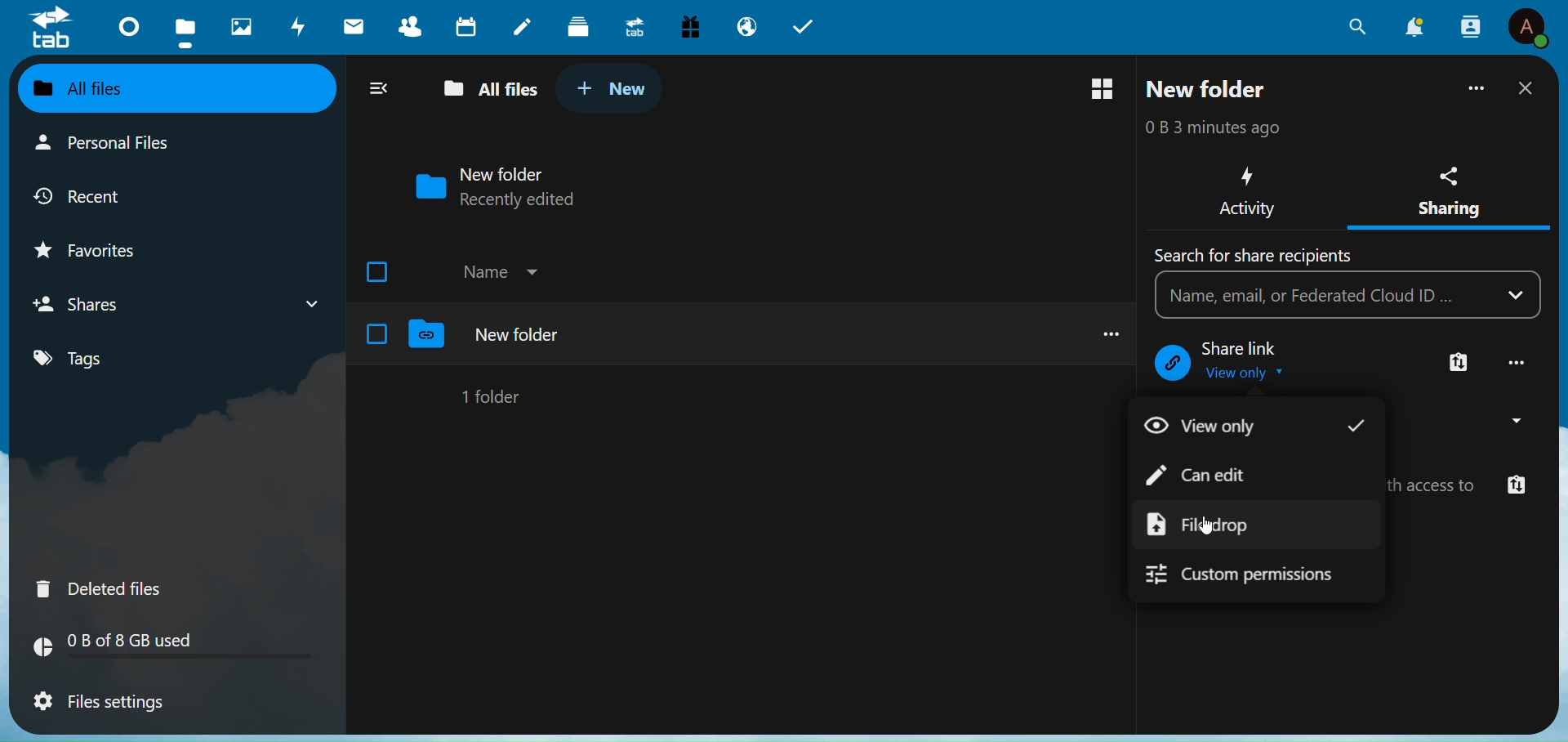  Describe the element at coordinates (426, 186) in the screenshot. I see `Folder Icon` at that location.